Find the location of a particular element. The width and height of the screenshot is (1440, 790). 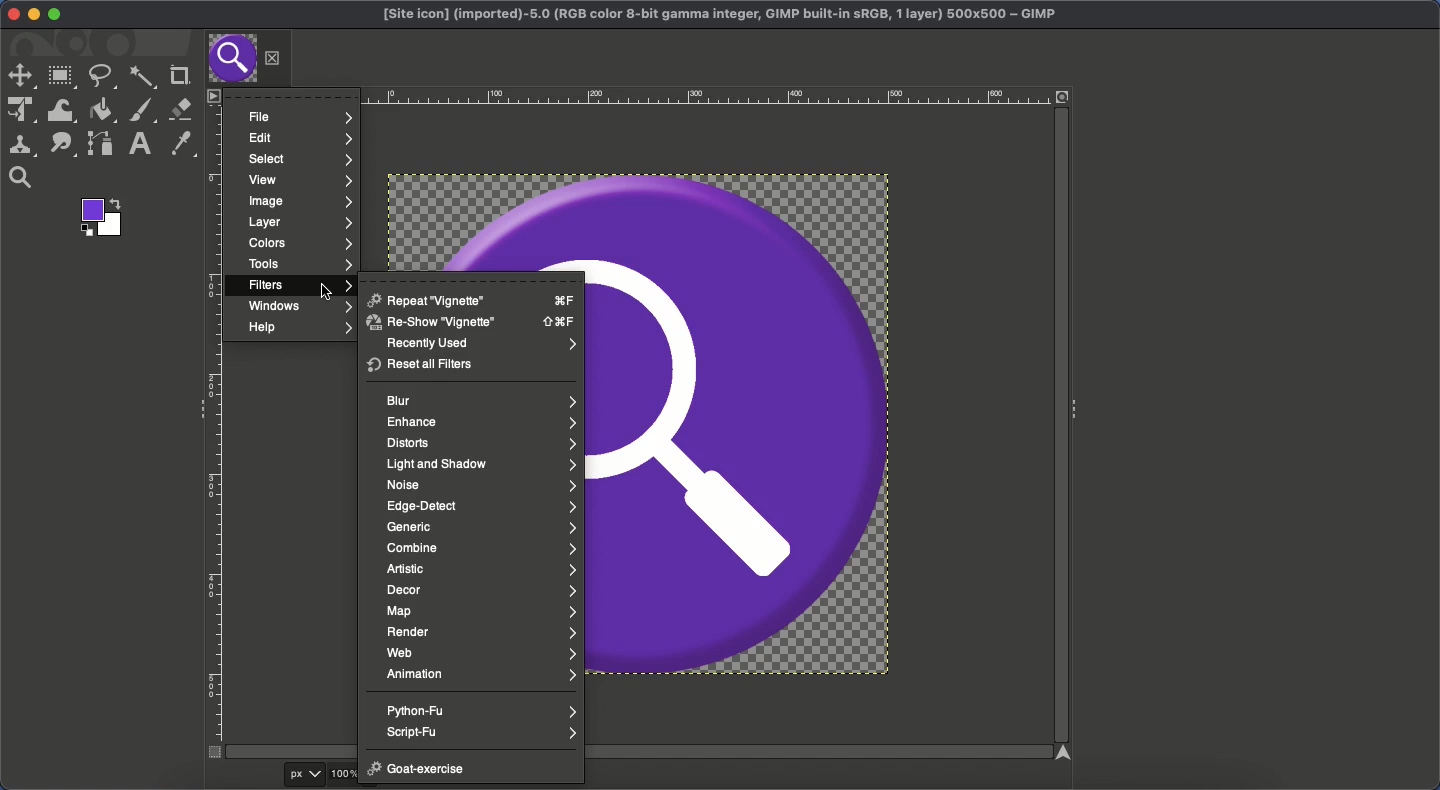

Repeat vignette is located at coordinates (473, 299).